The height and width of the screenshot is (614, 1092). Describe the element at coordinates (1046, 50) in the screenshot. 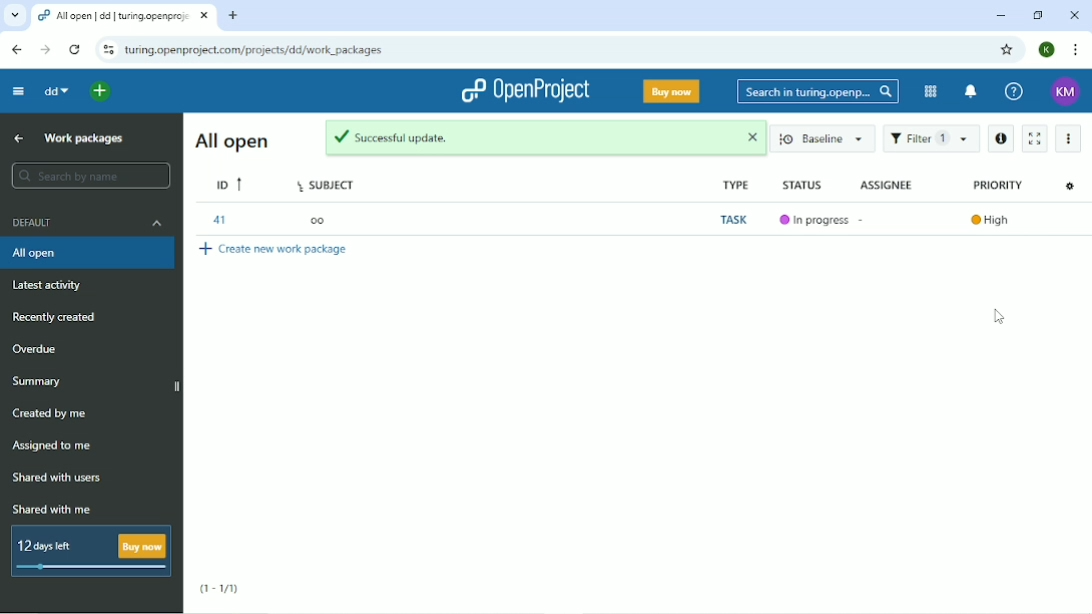

I see `K` at that location.